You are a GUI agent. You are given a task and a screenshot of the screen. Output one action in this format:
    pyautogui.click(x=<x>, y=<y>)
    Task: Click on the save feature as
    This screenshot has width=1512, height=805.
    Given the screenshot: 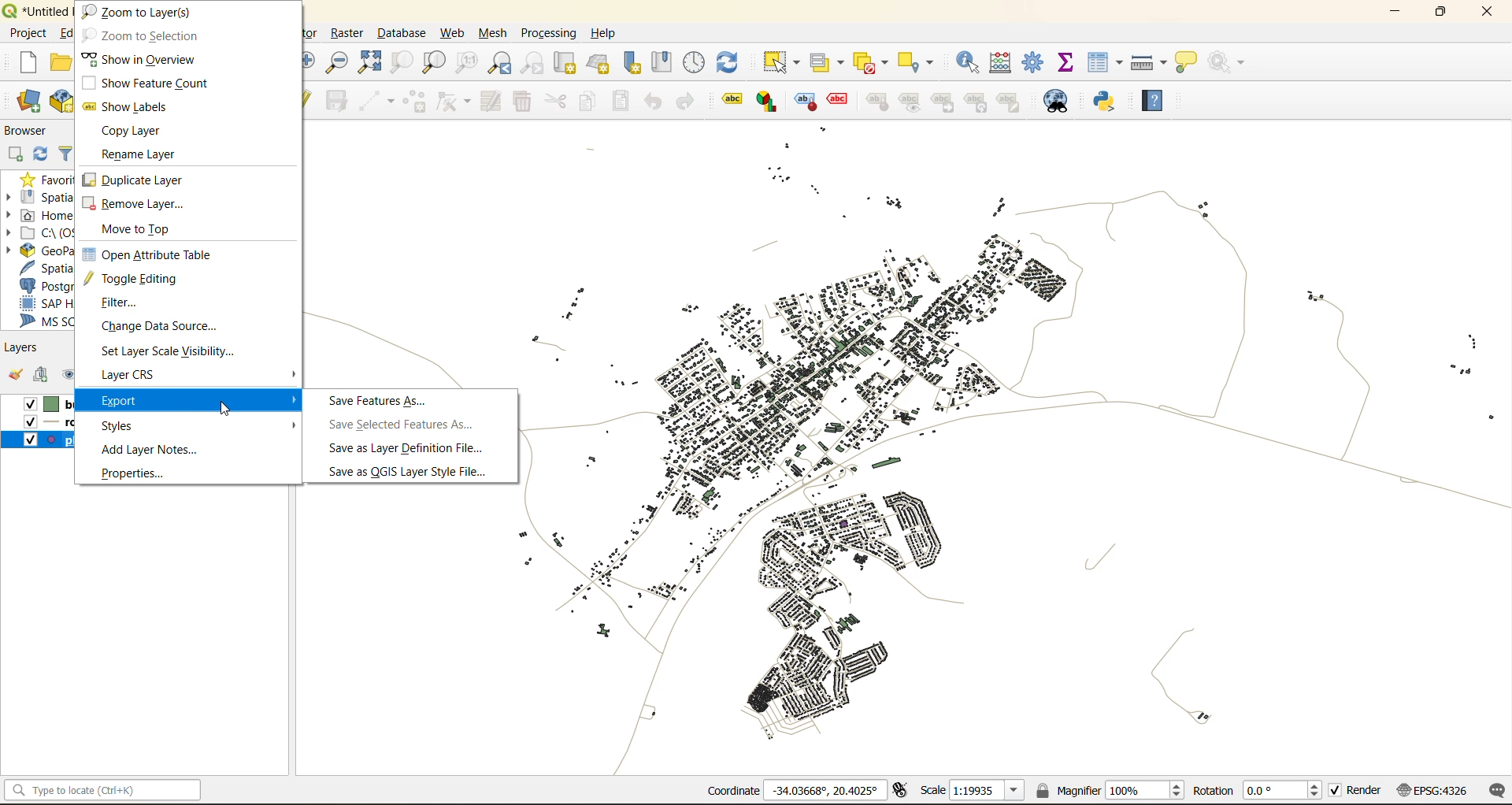 What is the action you would take?
    pyautogui.click(x=380, y=401)
    